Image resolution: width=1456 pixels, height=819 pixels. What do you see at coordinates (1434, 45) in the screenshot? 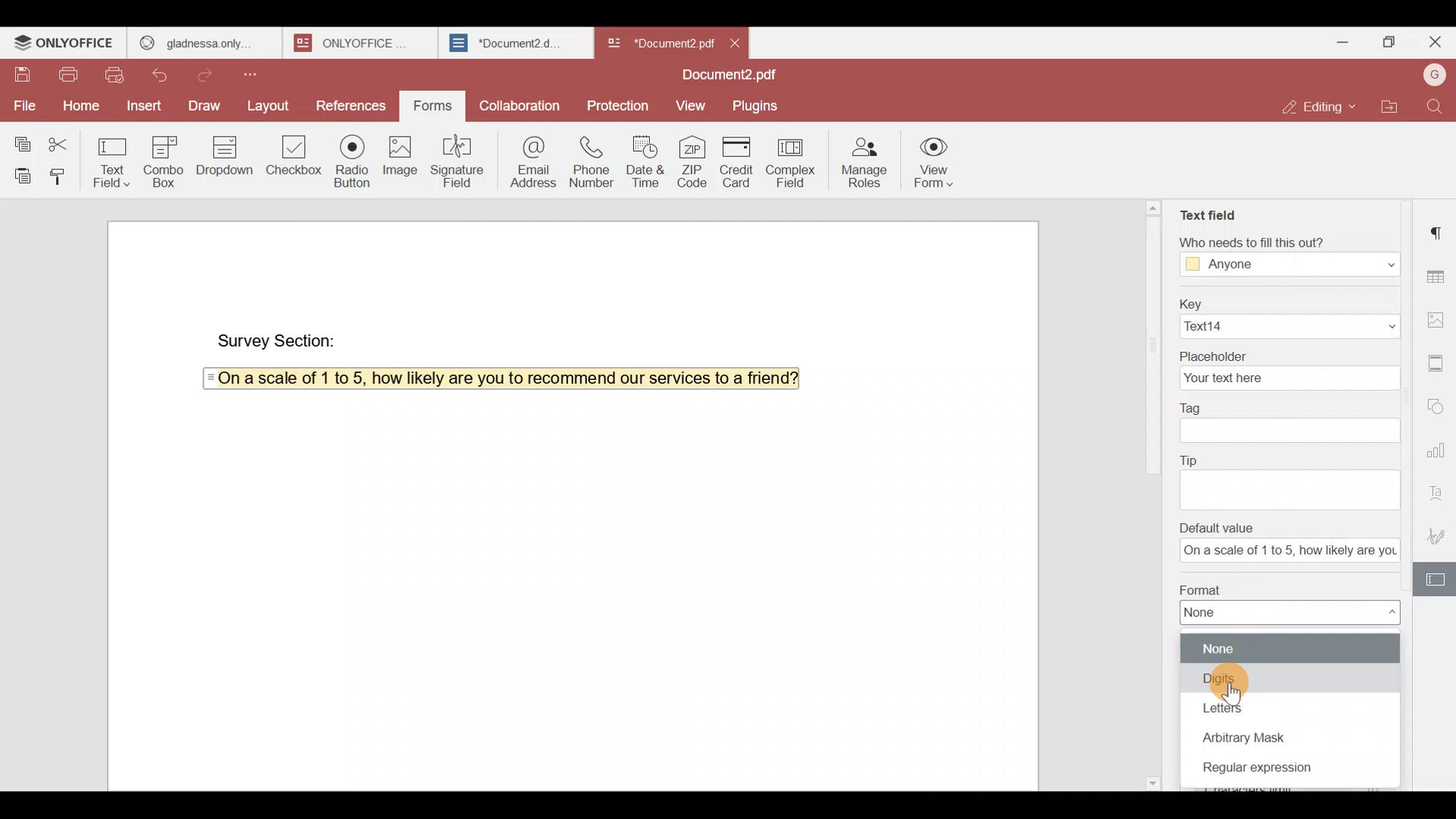
I see `Close` at bounding box center [1434, 45].